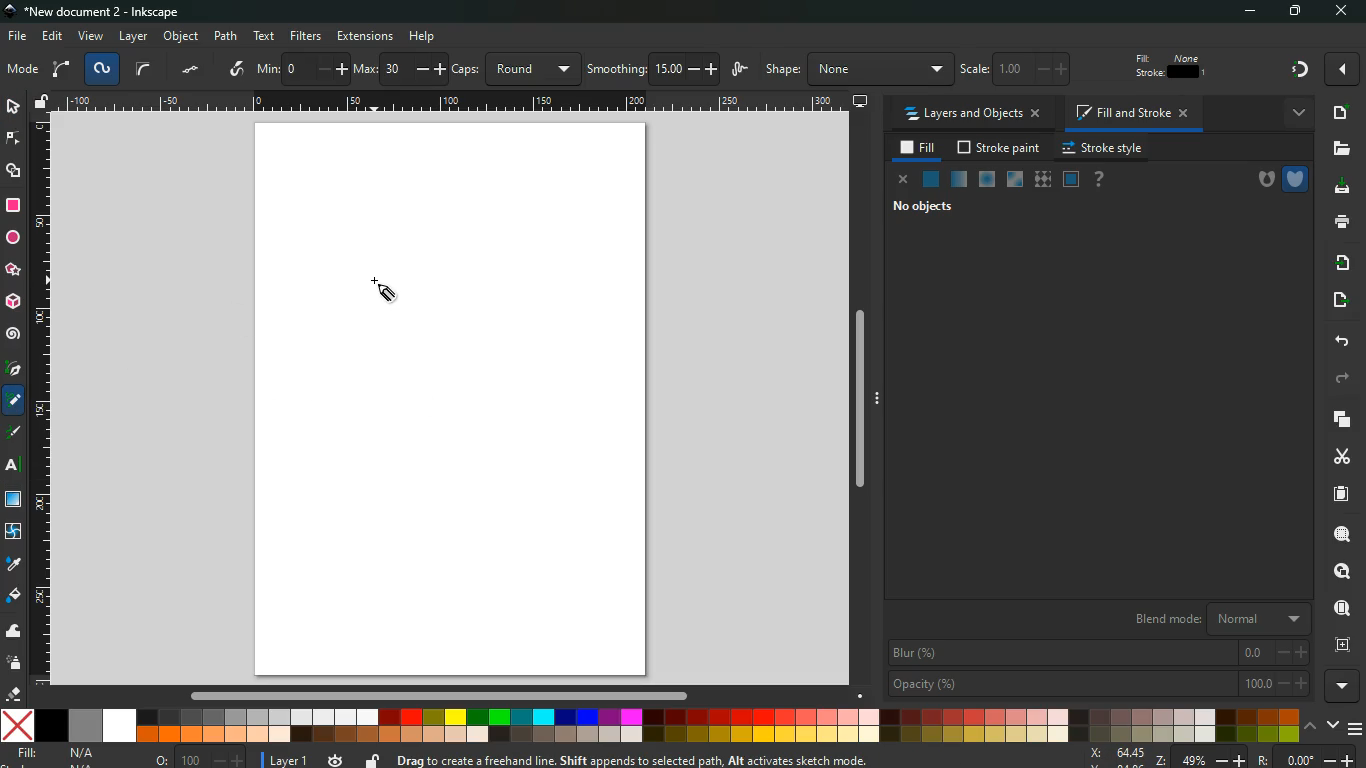 The image size is (1366, 768). I want to click on more, so click(1300, 116).